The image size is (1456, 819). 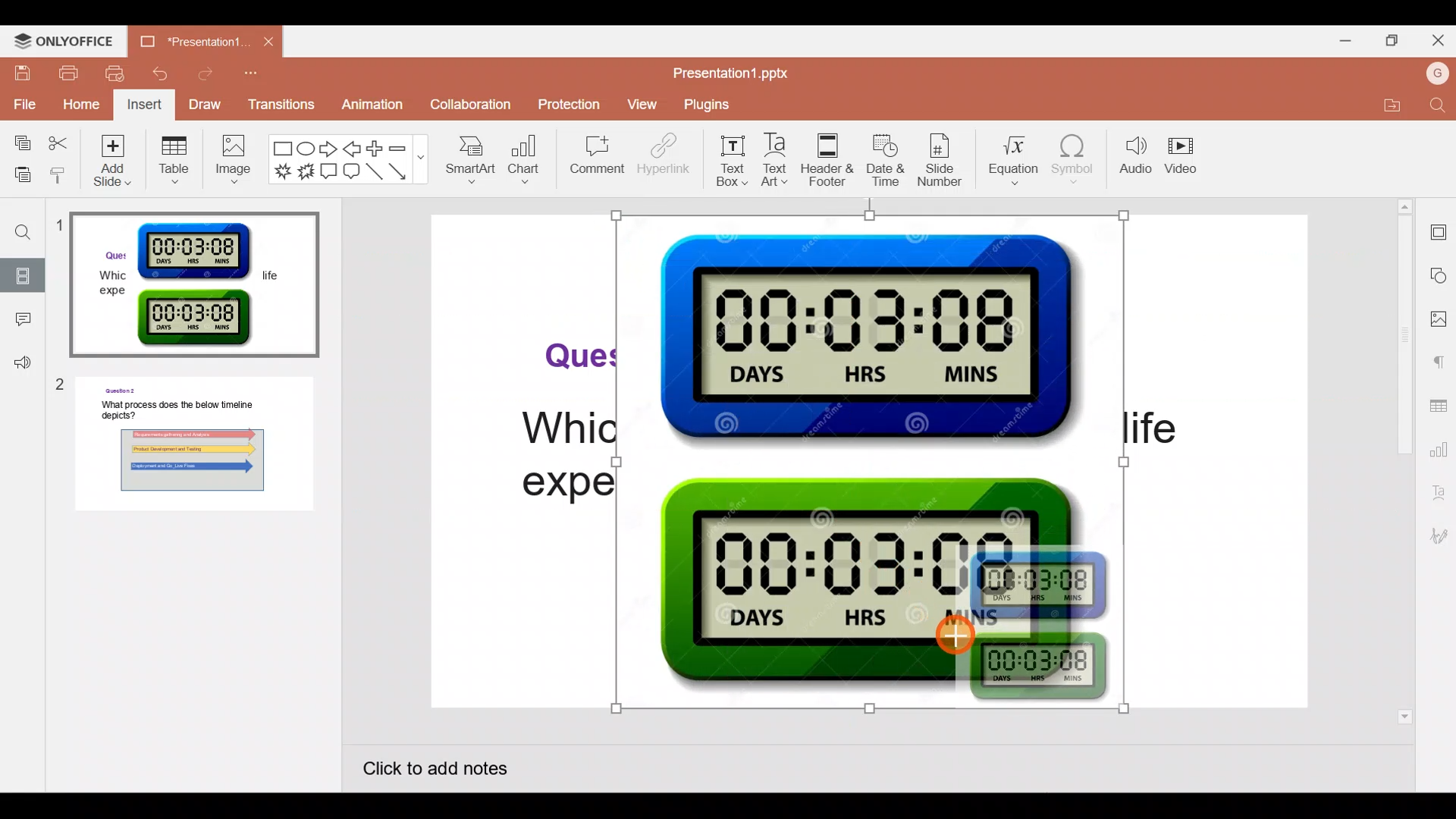 What do you see at coordinates (60, 143) in the screenshot?
I see `Cut` at bounding box center [60, 143].